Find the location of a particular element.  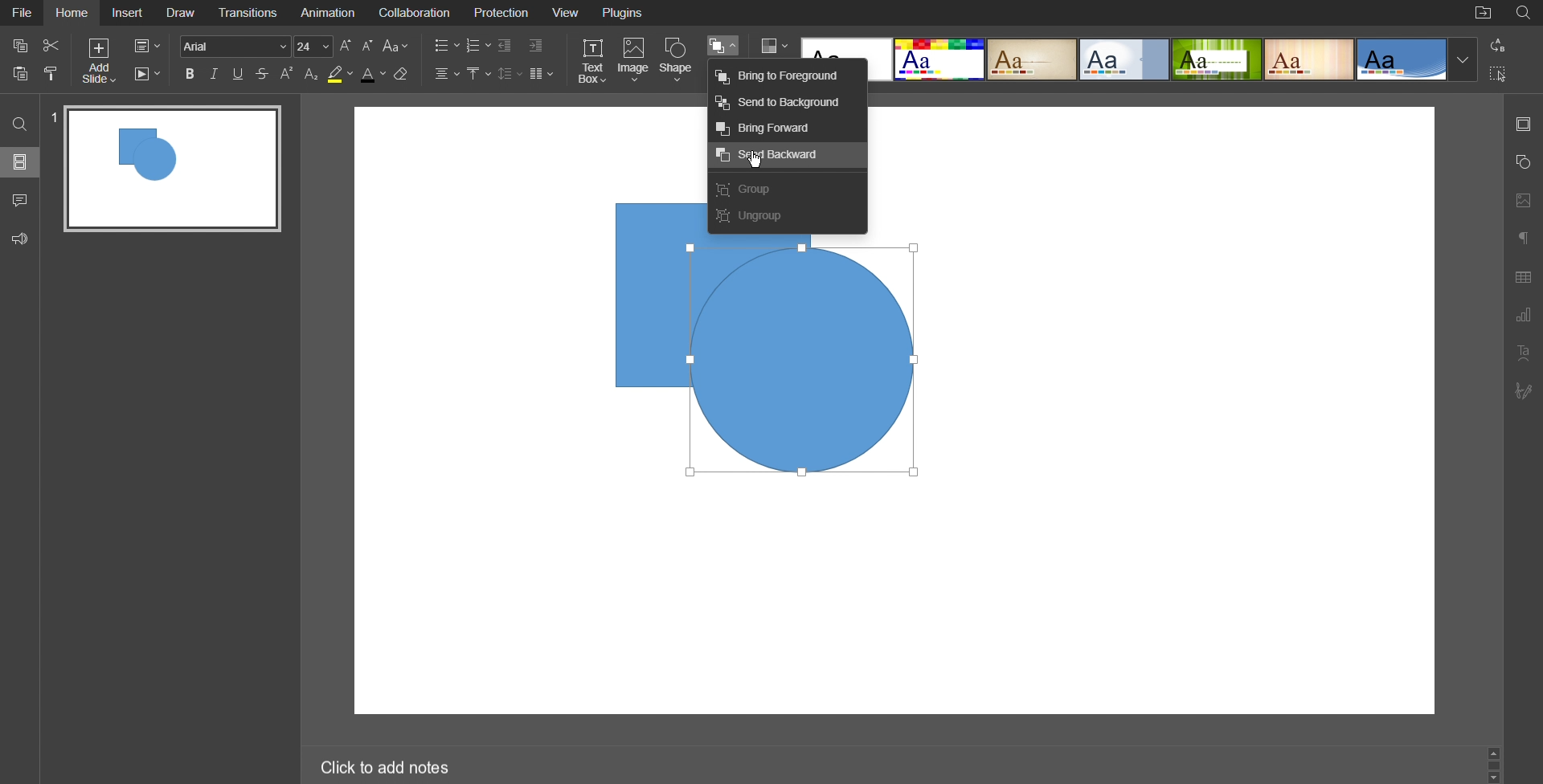

Colors is located at coordinates (776, 45).